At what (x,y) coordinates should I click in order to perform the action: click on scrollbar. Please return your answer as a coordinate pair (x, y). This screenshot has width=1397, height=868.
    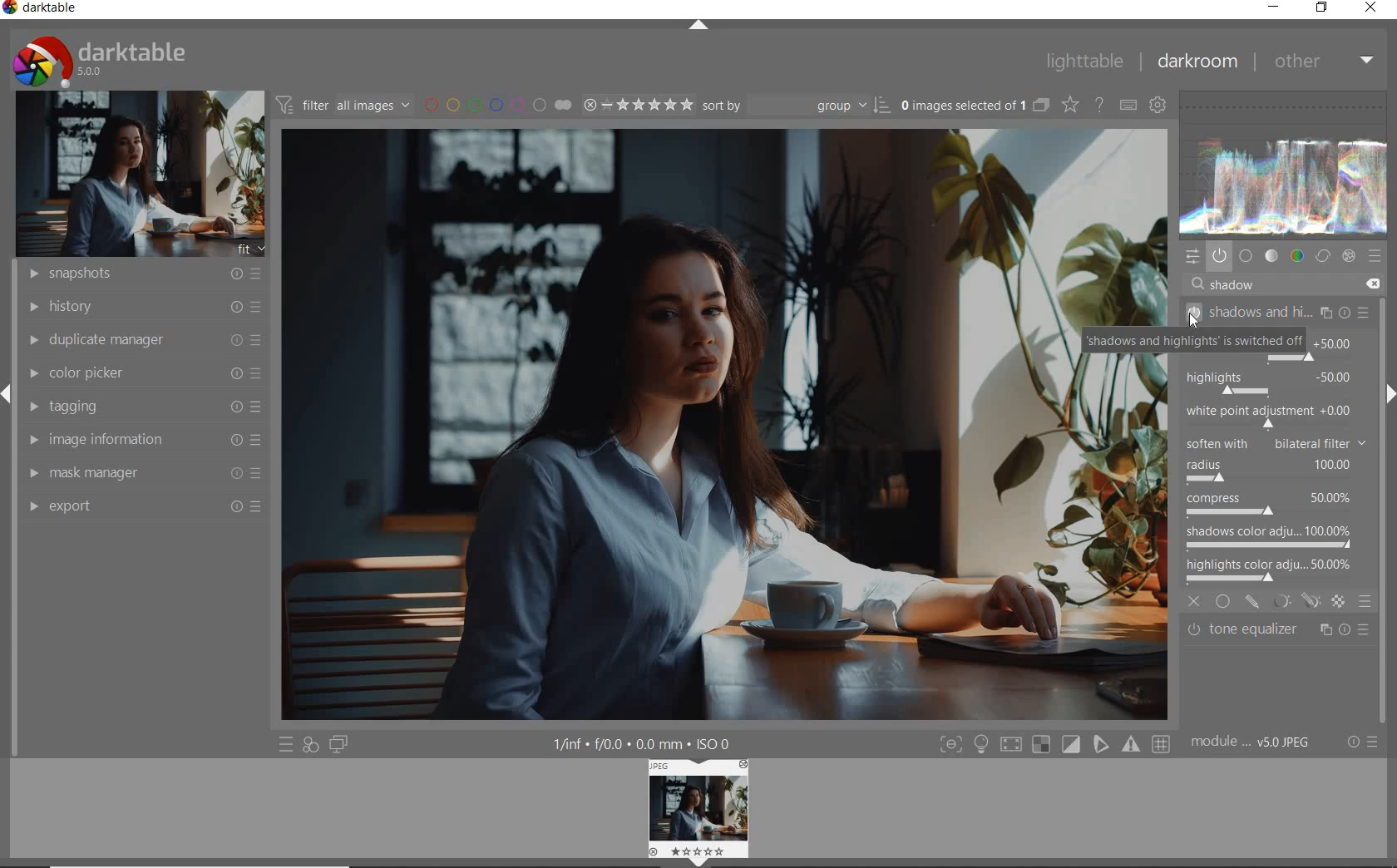
    Looking at the image, I should click on (1387, 332).